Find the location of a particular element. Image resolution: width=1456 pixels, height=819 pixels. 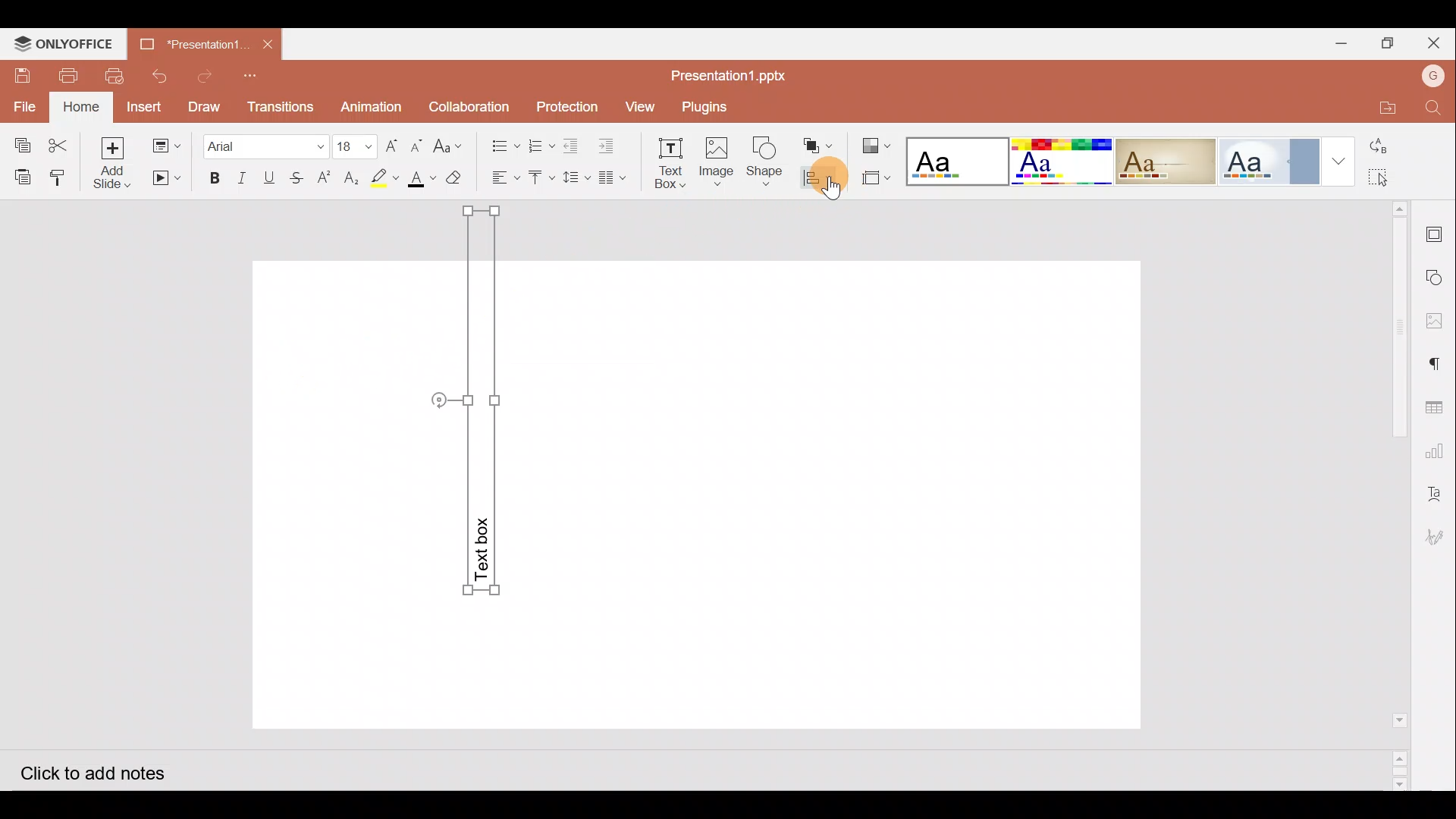

Draw is located at coordinates (203, 105).